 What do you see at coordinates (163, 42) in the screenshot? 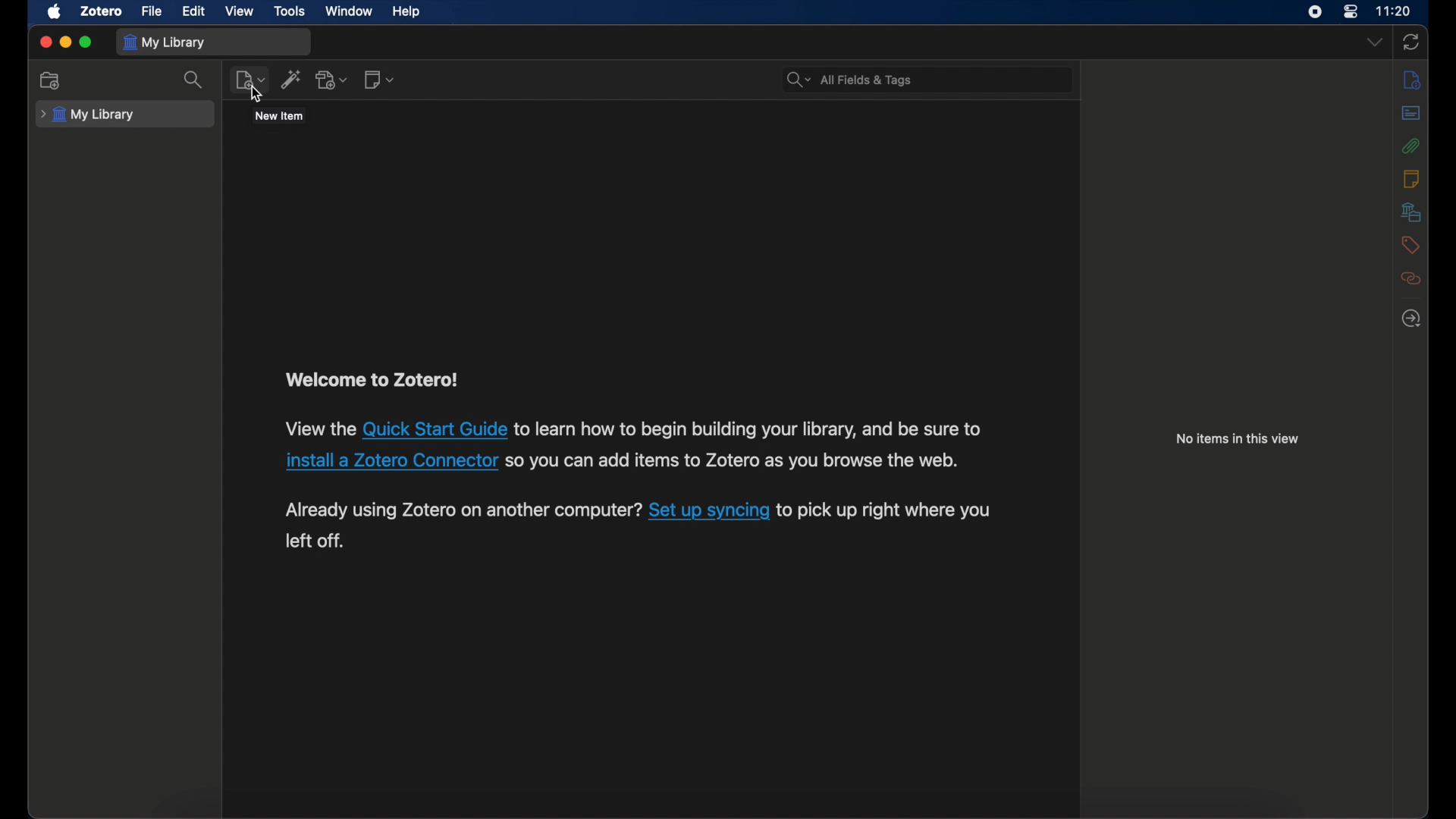
I see `my library` at bounding box center [163, 42].